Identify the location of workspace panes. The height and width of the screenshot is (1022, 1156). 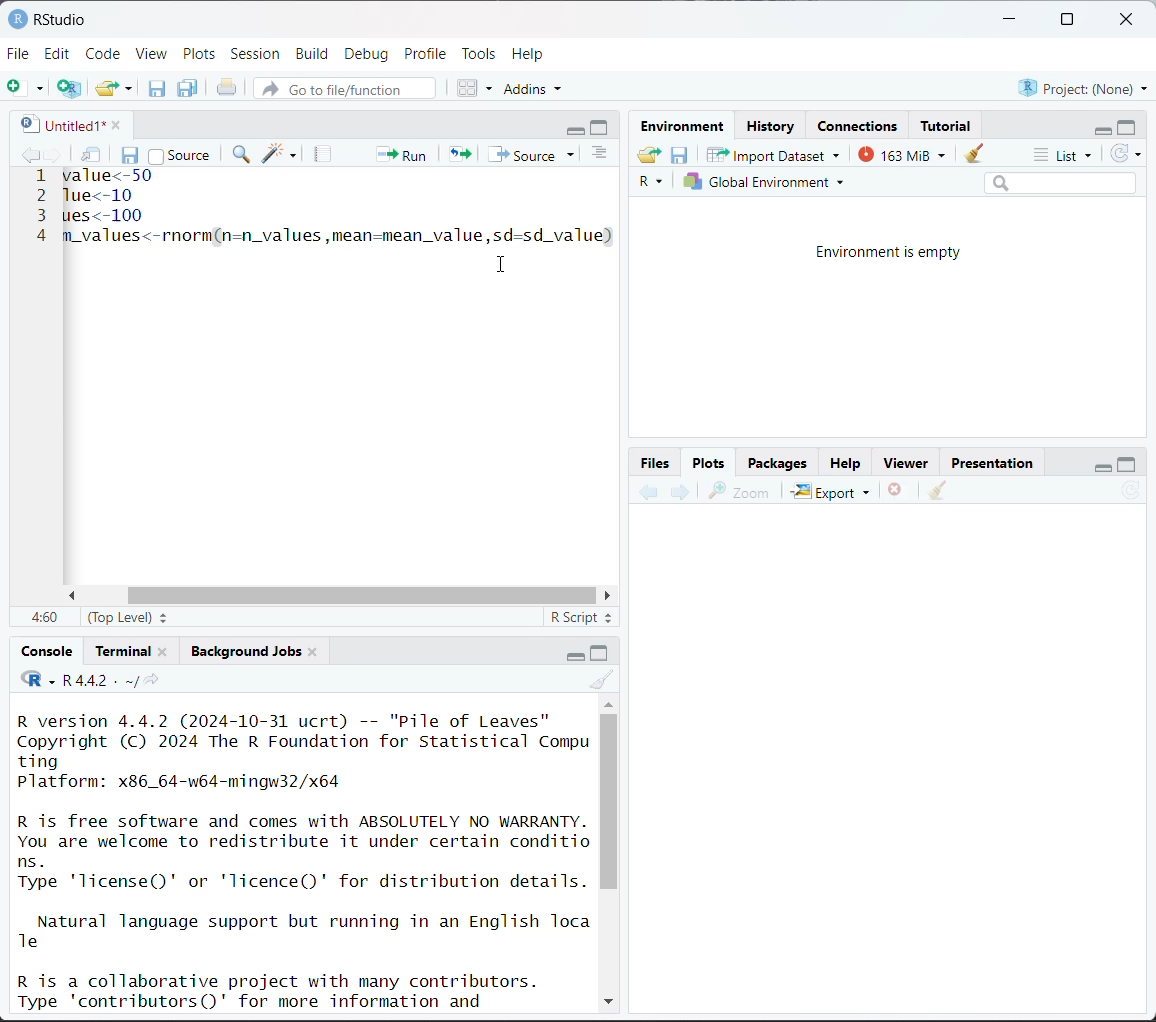
(476, 87).